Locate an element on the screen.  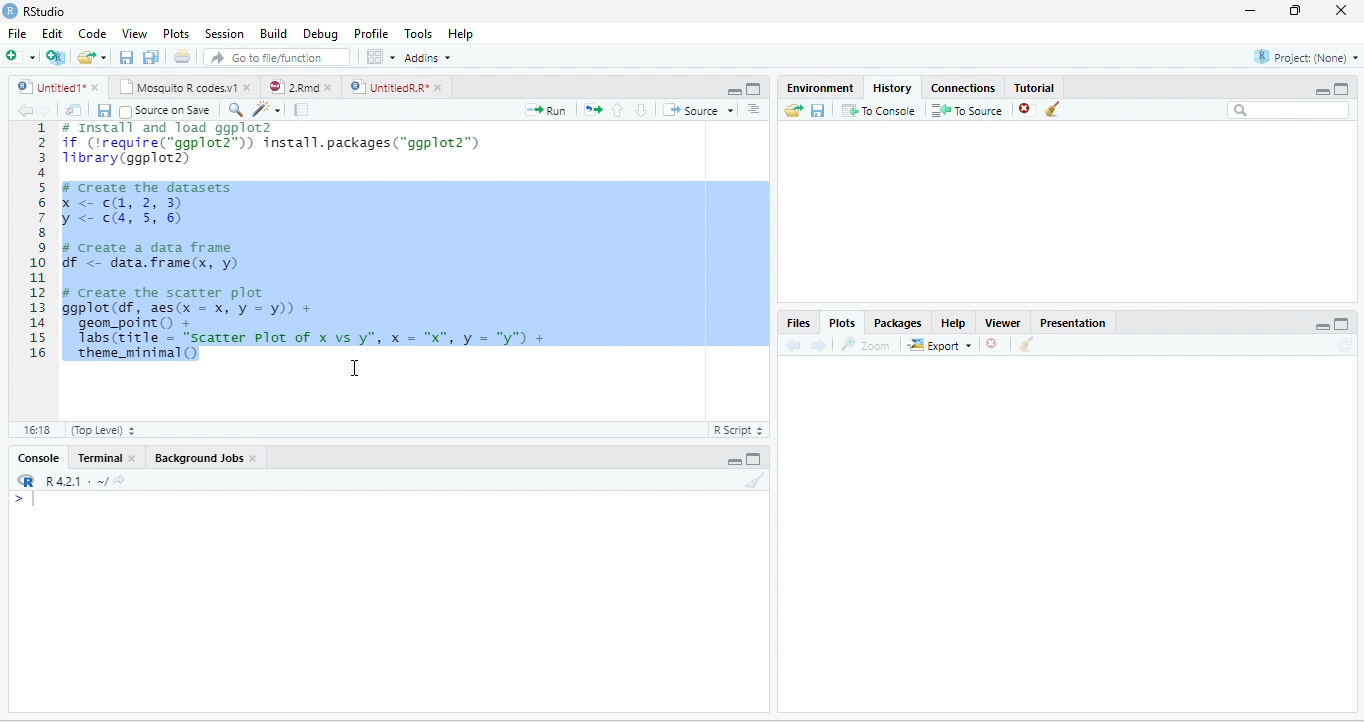
Debug is located at coordinates (320, 33).